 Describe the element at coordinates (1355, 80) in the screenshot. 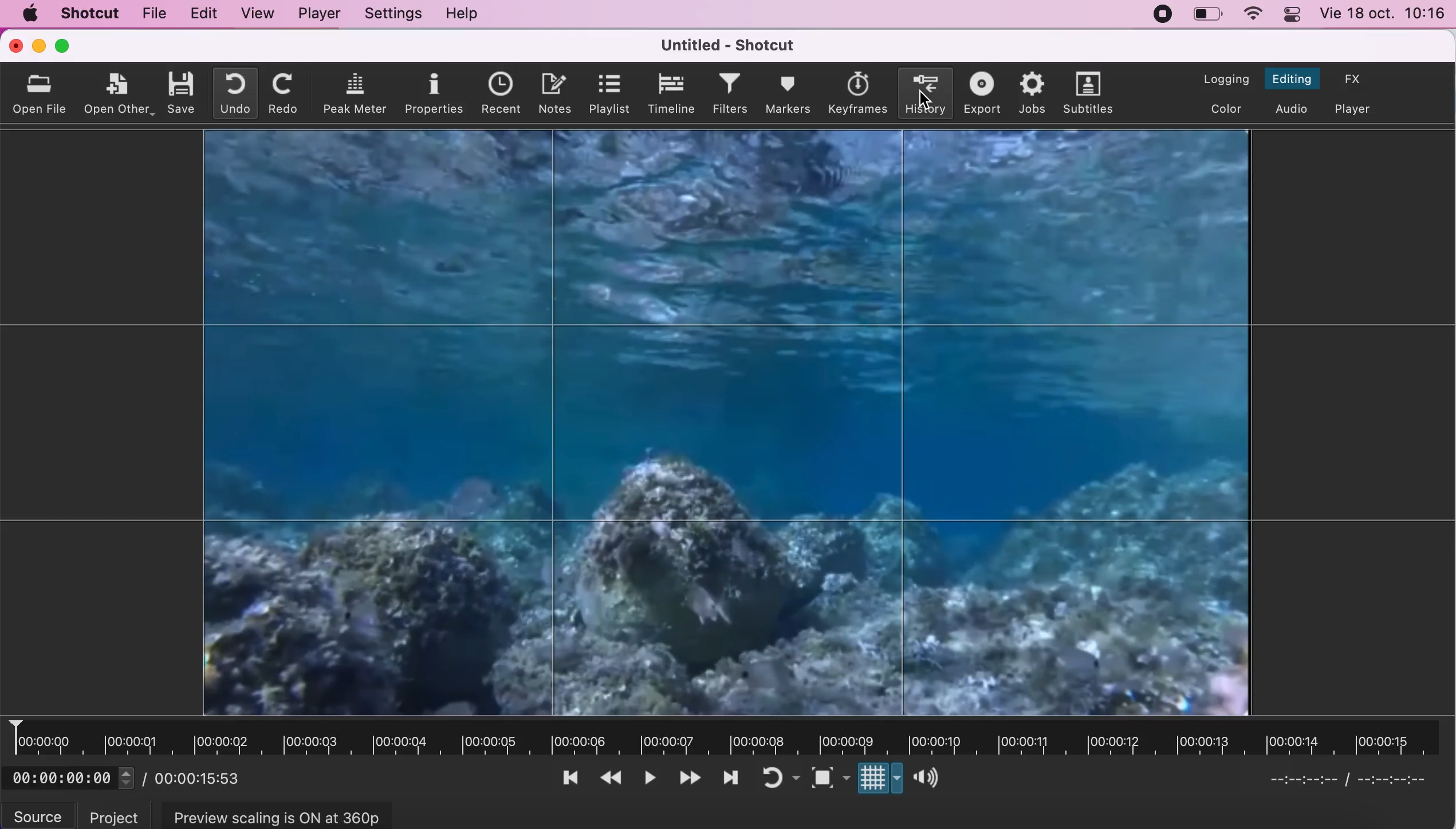

I see `switch to the effects layout` at that location.